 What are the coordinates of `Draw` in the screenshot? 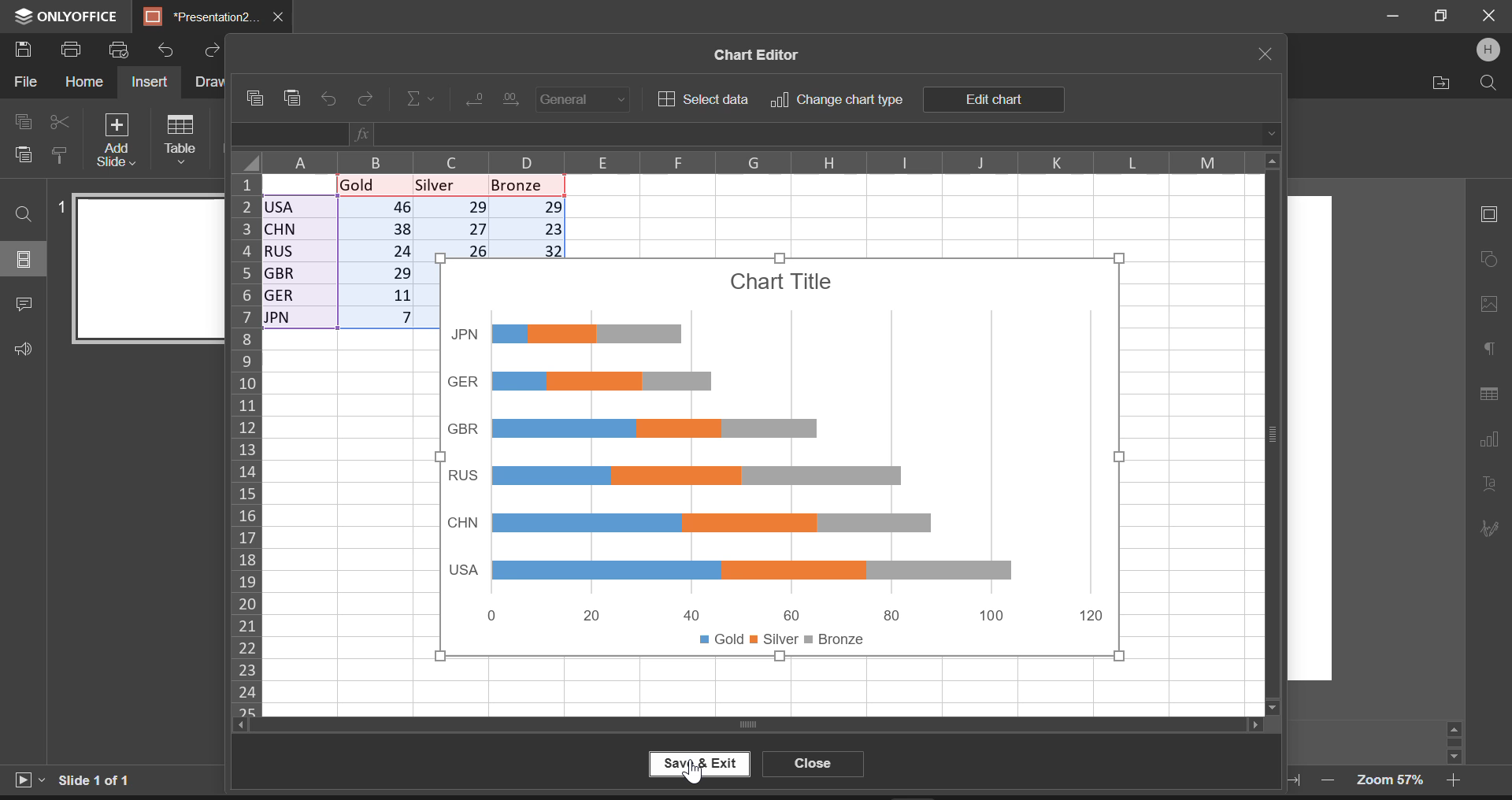 It's located at (207, 81).